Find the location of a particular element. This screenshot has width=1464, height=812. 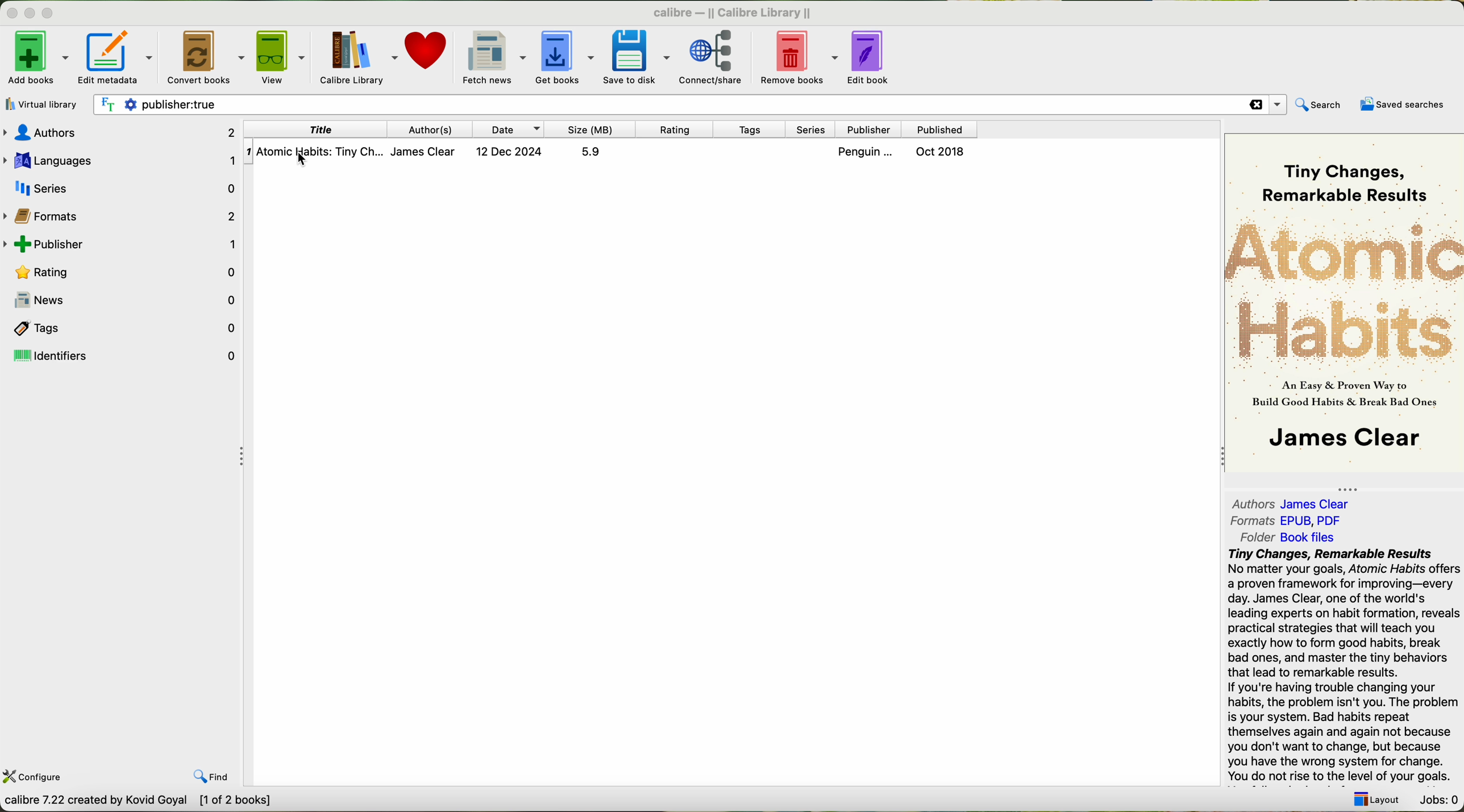

authors is located at coordinates (120, 131).